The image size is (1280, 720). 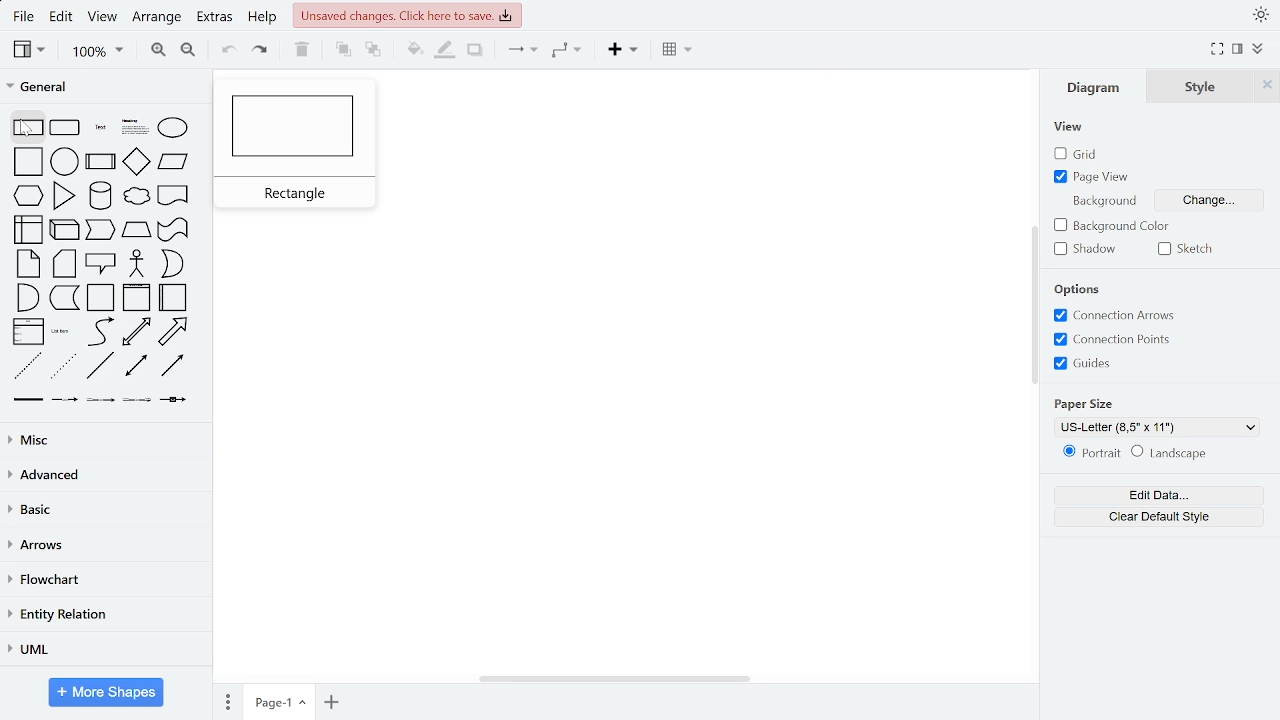 What do you see at coordinates (105, 615) in the screenshot?
I see `entity relation` at bounding box center [105, 615].